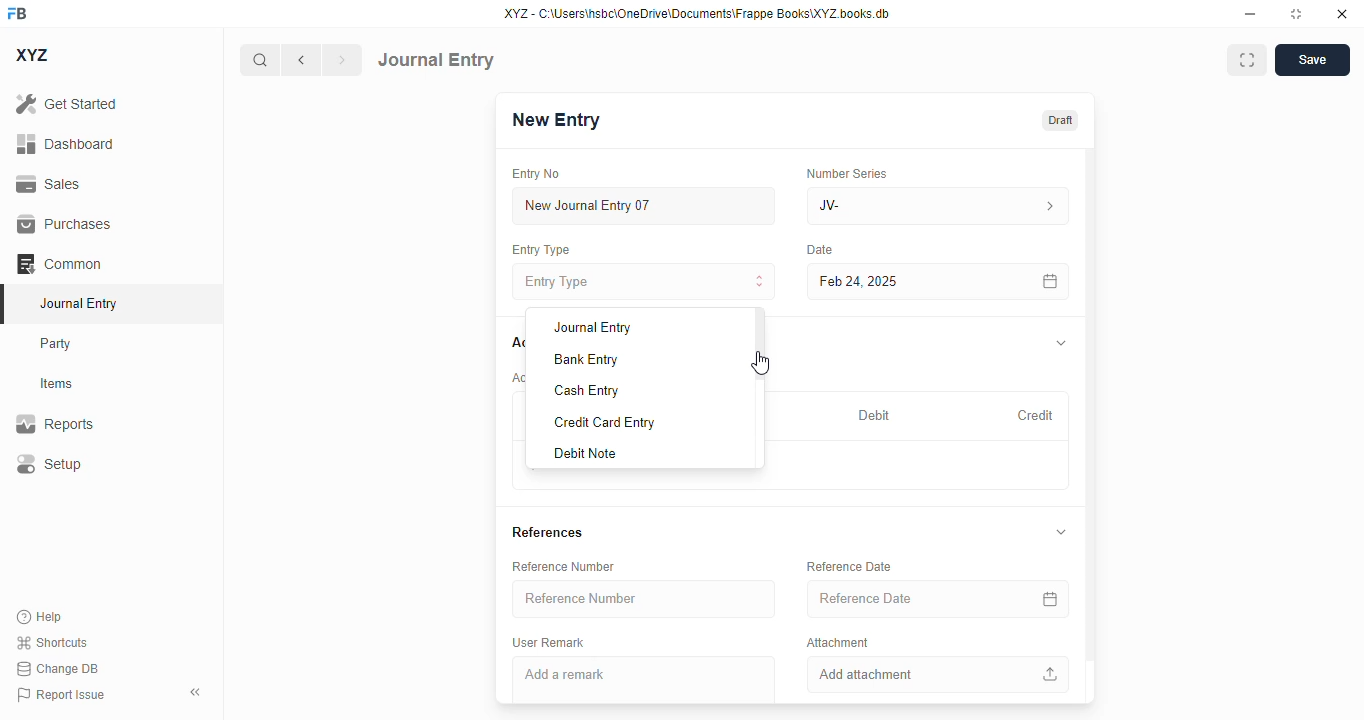 This screenshot has width=1364, height=720. What do you see at coordinates (1090, 426) in the screenshot?
I see `vertical scroll bar` at bounding box center [1090, 426].